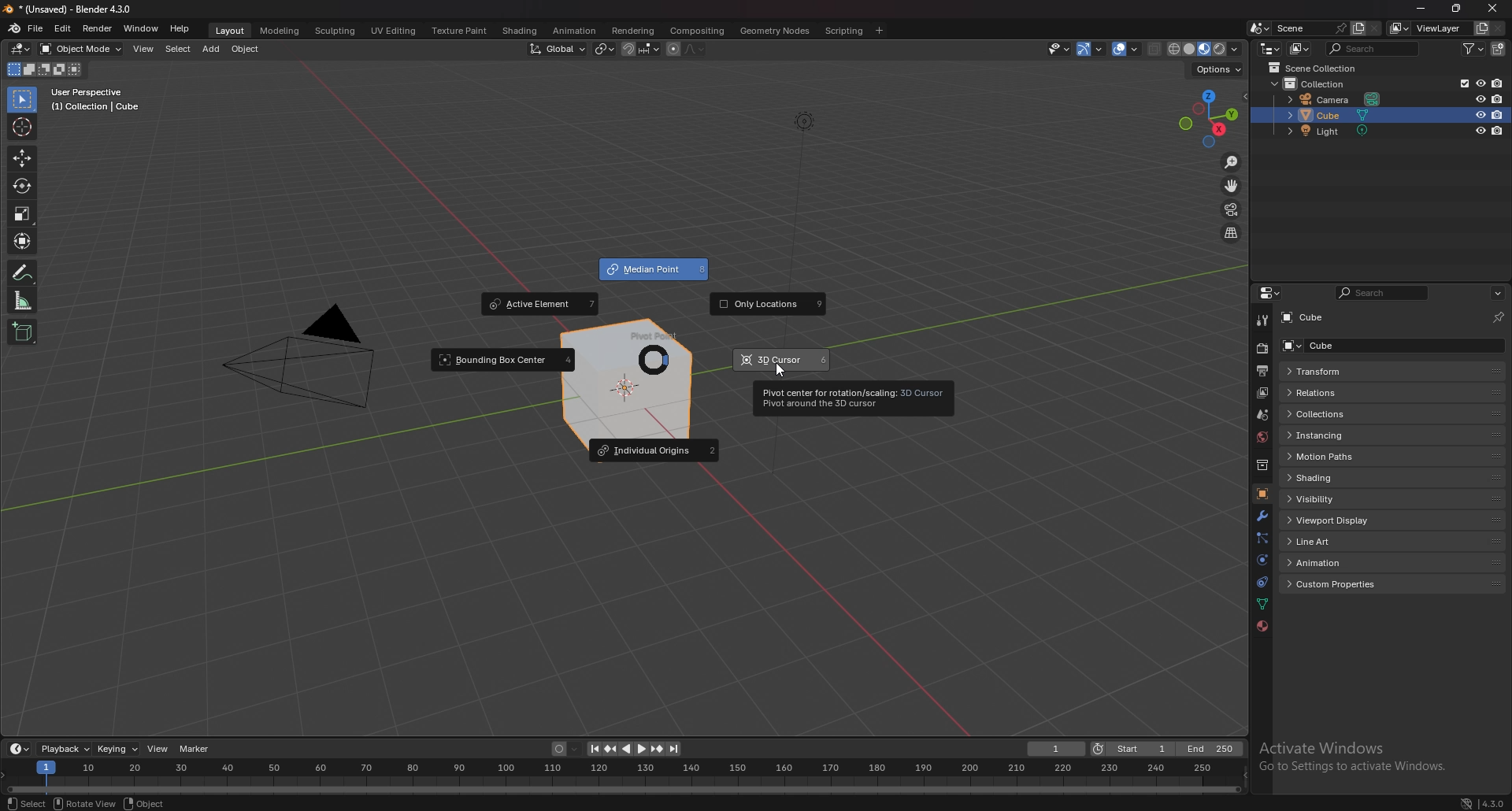 The width and height of the screenshot is (1512, 811). What do you see at coordinates (1209, 749) in the screenshot?
I see `end frame` at bounding box center [1209, 749].